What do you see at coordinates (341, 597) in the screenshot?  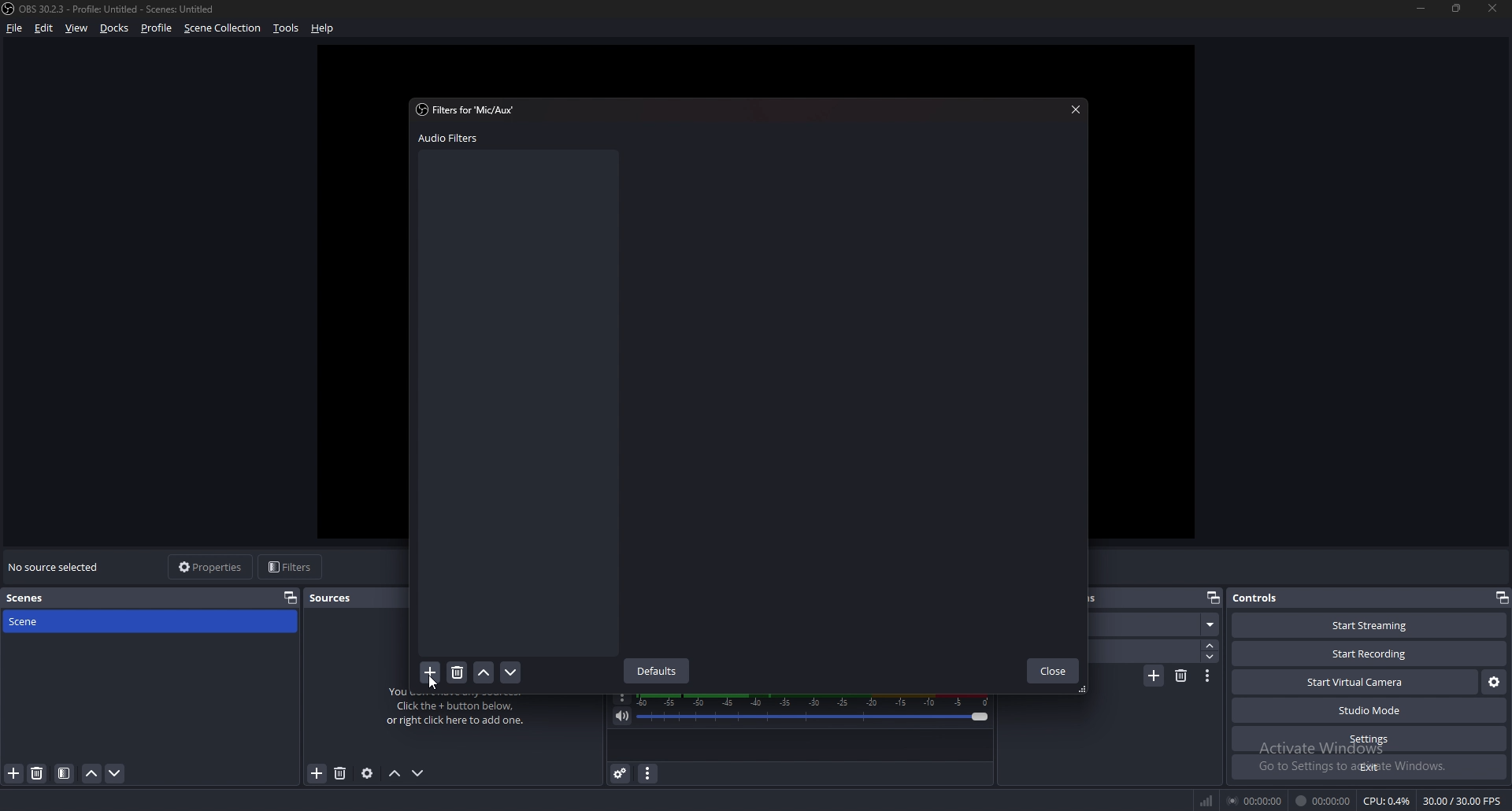 I see `sources` at bounding box center [341, 597].